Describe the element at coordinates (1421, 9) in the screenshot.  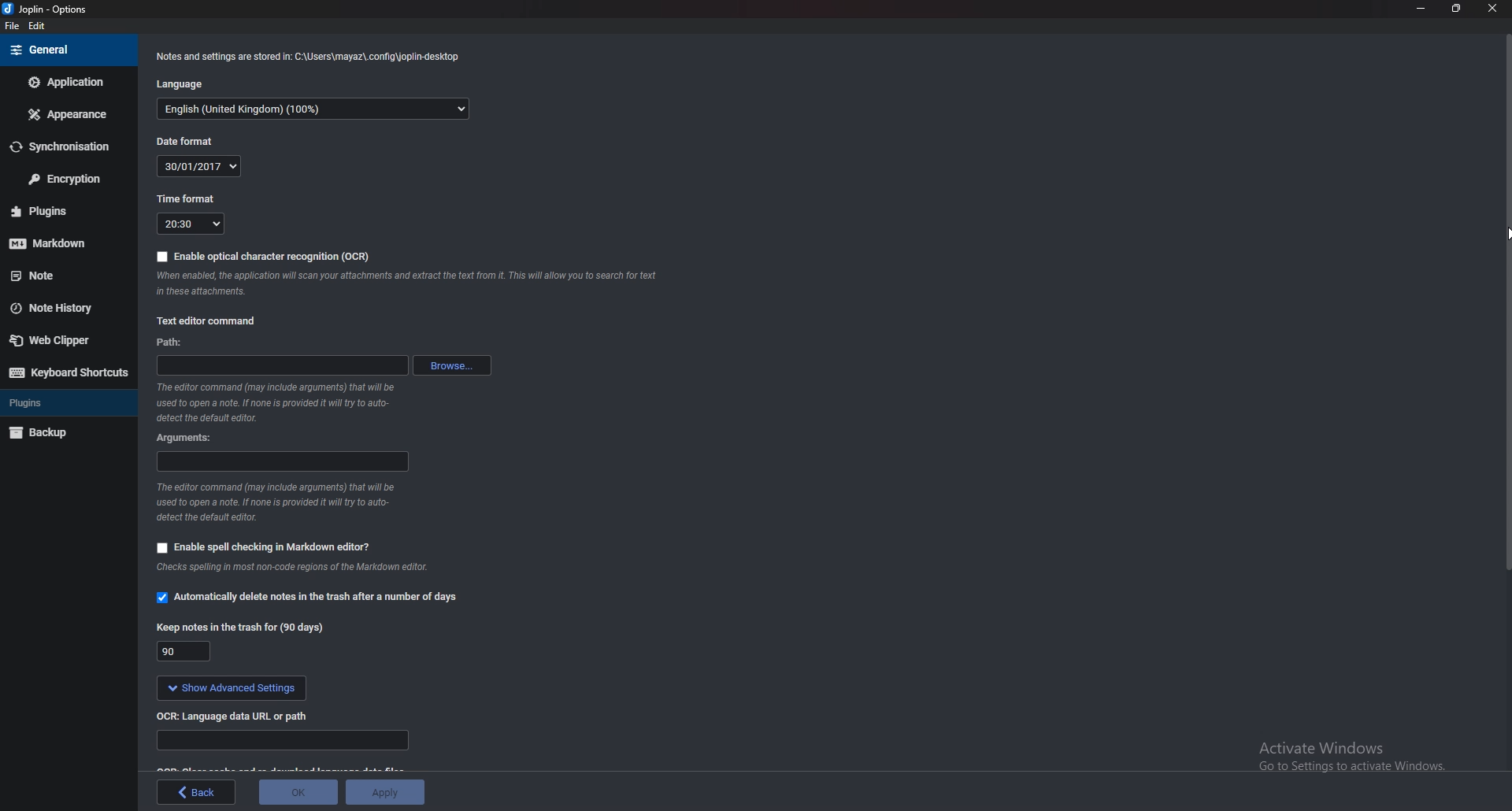
I see `Minimize` at that location.